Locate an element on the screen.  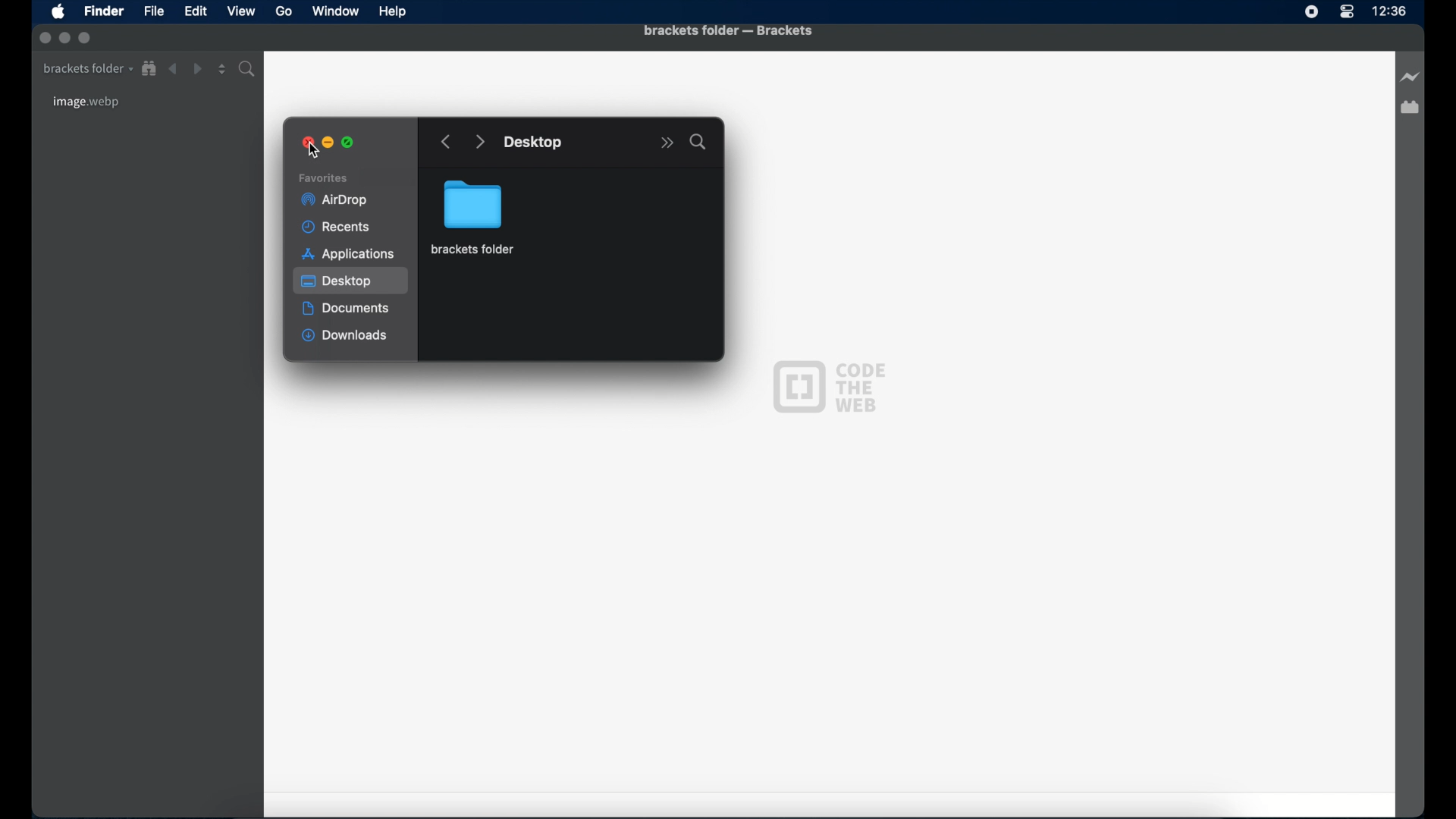
File is located at coordinates (154, 11).